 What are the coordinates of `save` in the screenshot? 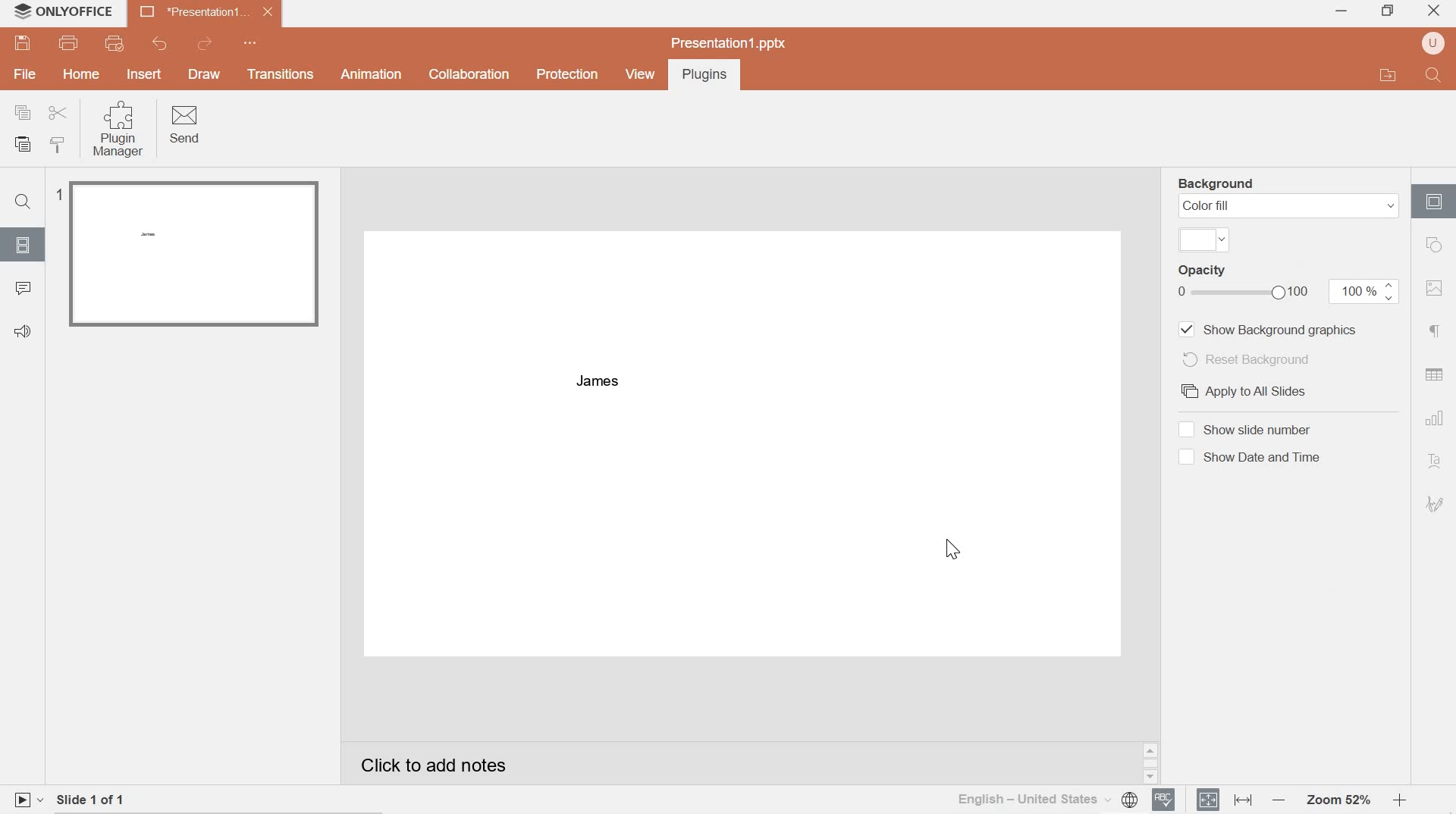 It's located at (24, 43).